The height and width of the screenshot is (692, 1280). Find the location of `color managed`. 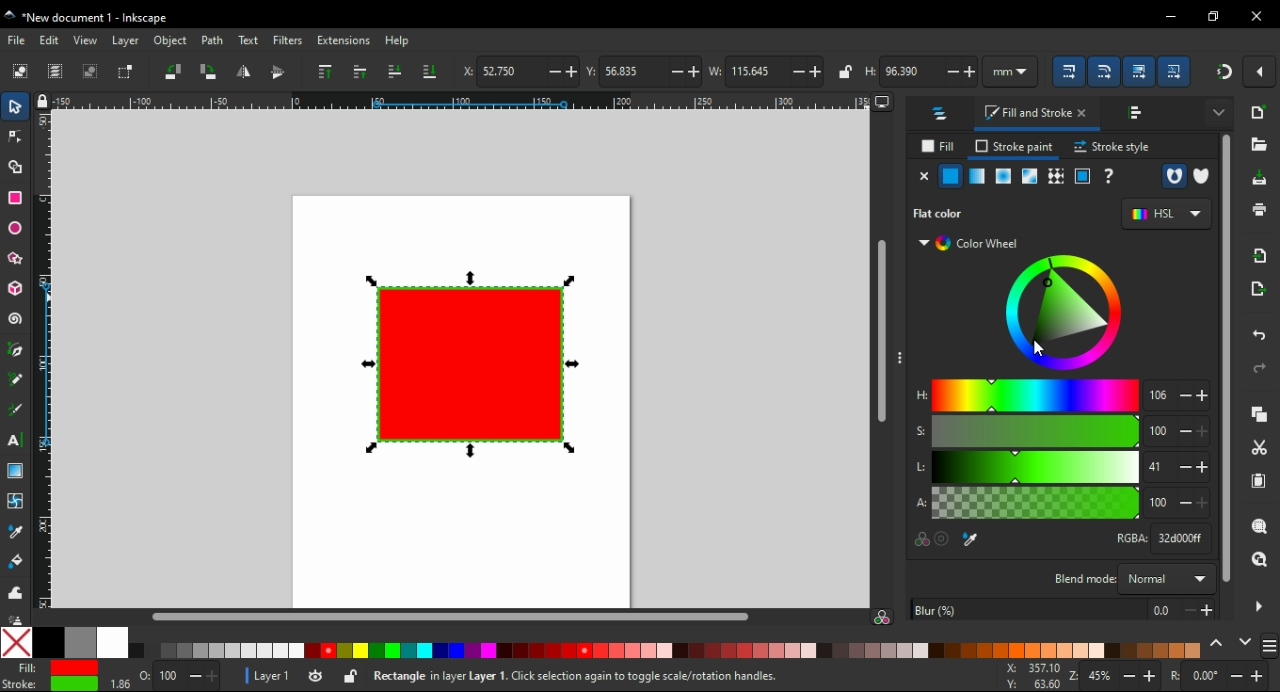

color managed is located at coordinates (920, 541).